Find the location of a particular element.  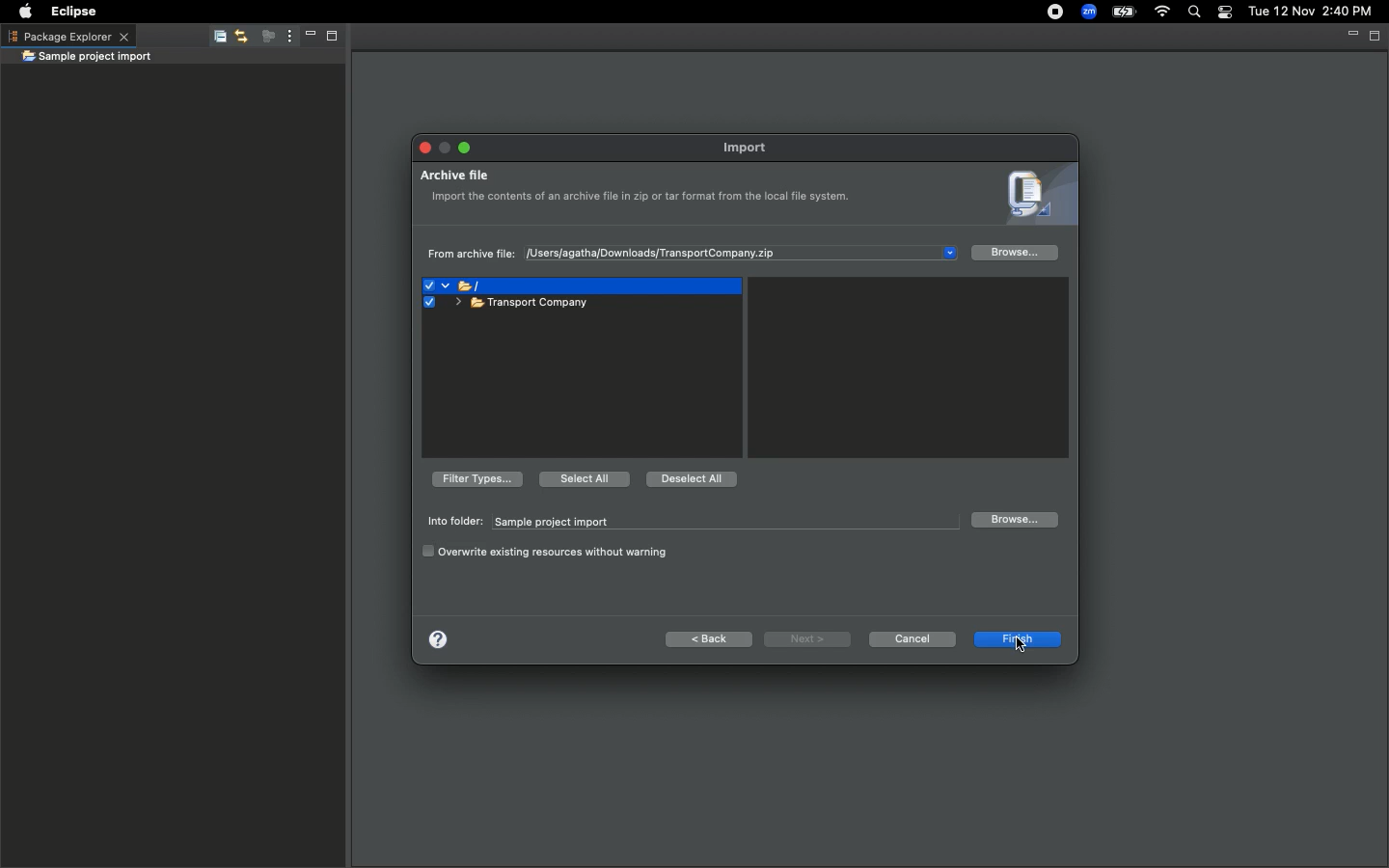

Maximize is located at coordinates (330, 39).